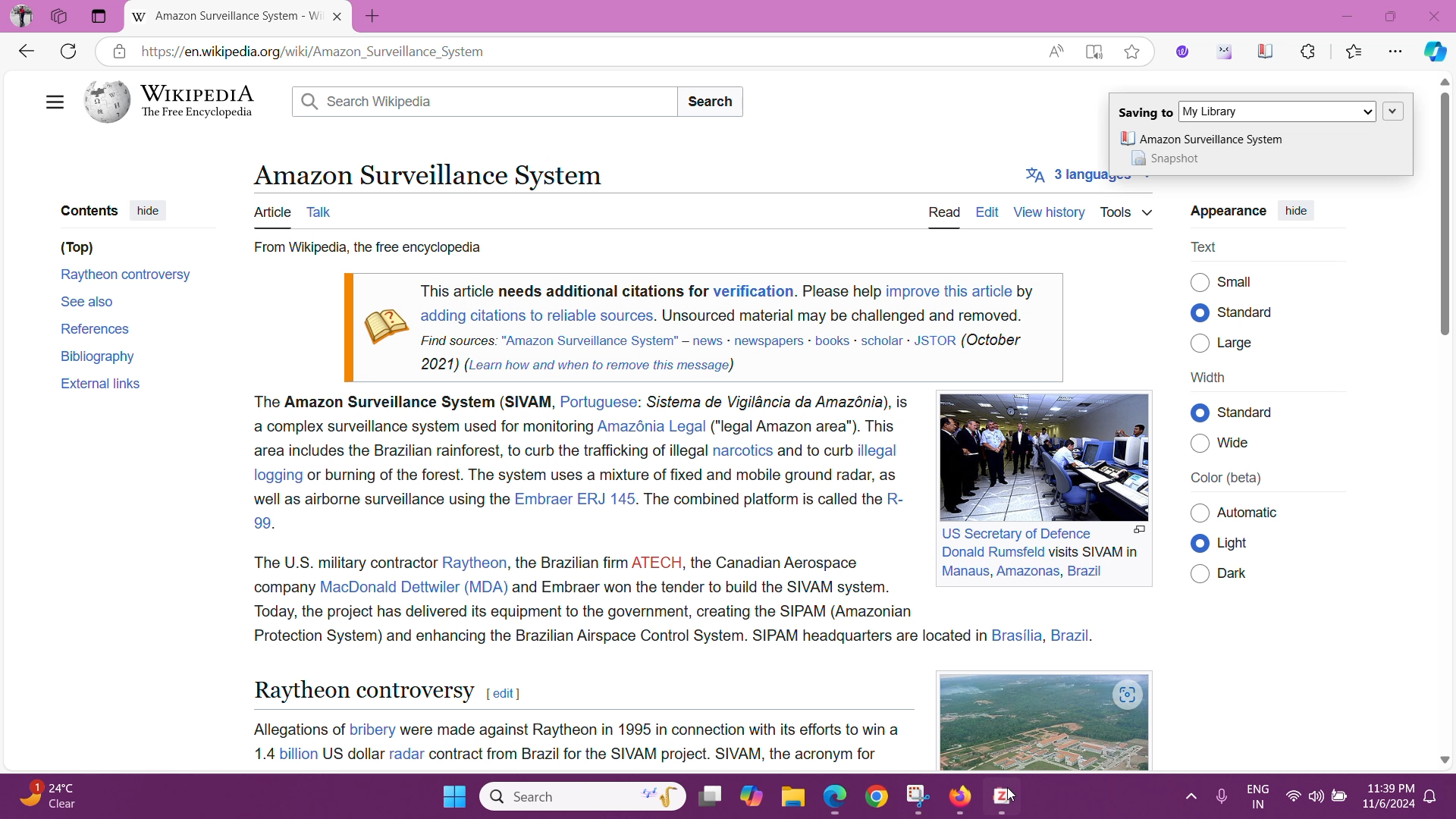 The width and height of the screenshot is (1456, 819). What do you see at coordinates (1045, 635) in the screenshot?
I see `Brasilia, Brazil.` at bounding box center [1045, 635].